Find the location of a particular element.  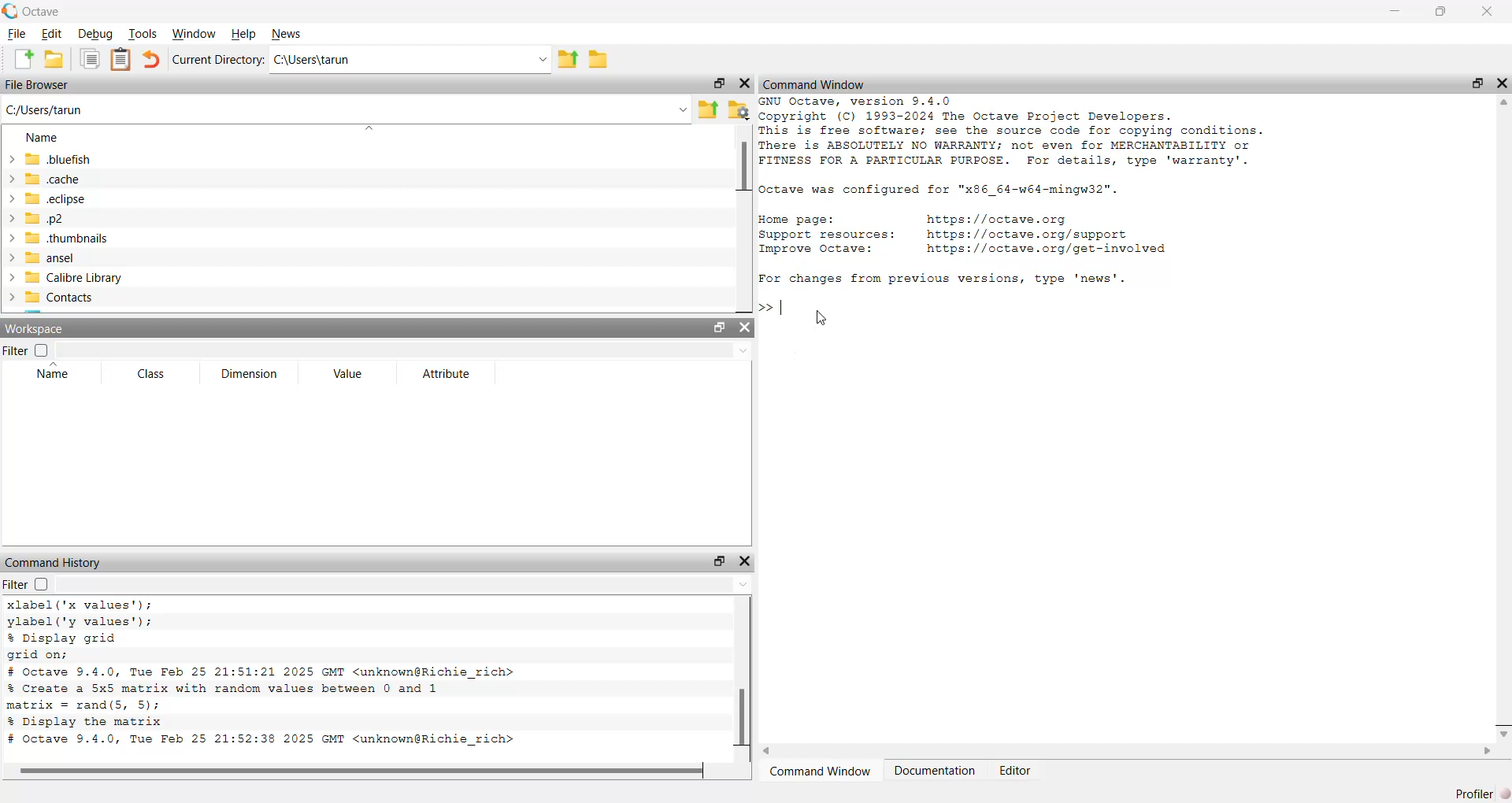

Tools is located at coordinates (144, 32).